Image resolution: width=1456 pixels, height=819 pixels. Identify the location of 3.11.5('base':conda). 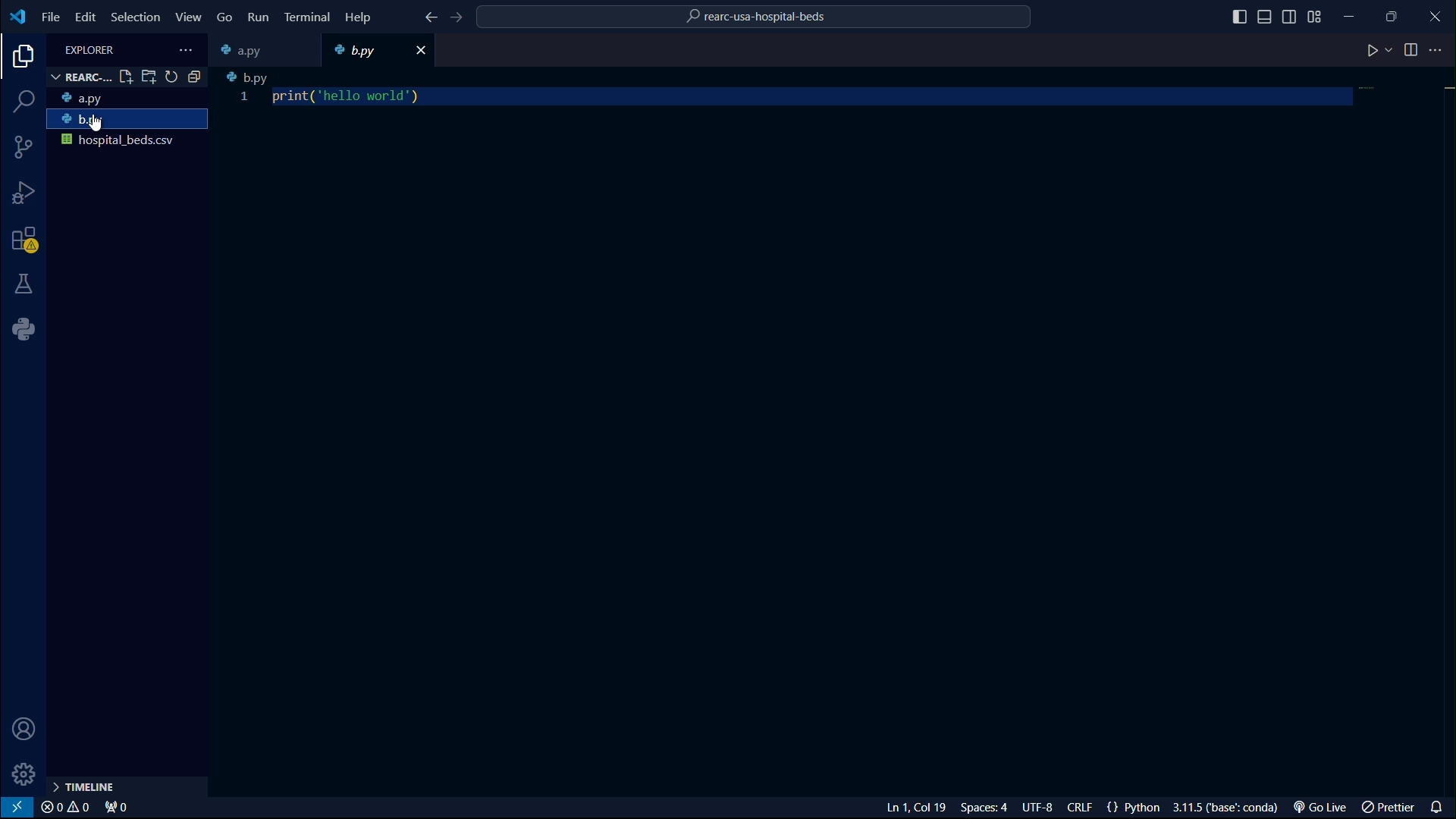
(1226, 807).